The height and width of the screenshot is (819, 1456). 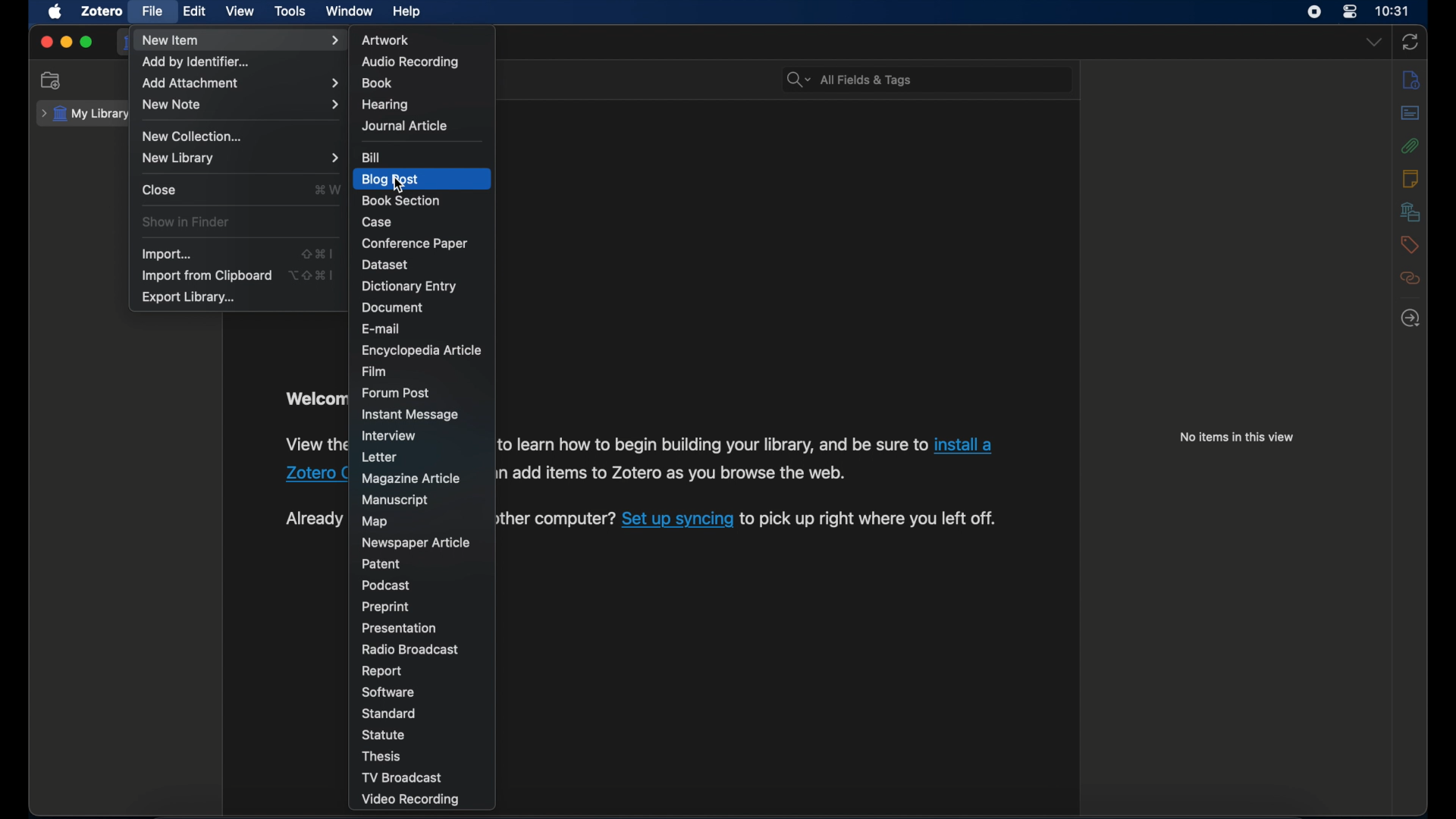 I want to click on screen recorder, so click(x=1314, y=11).